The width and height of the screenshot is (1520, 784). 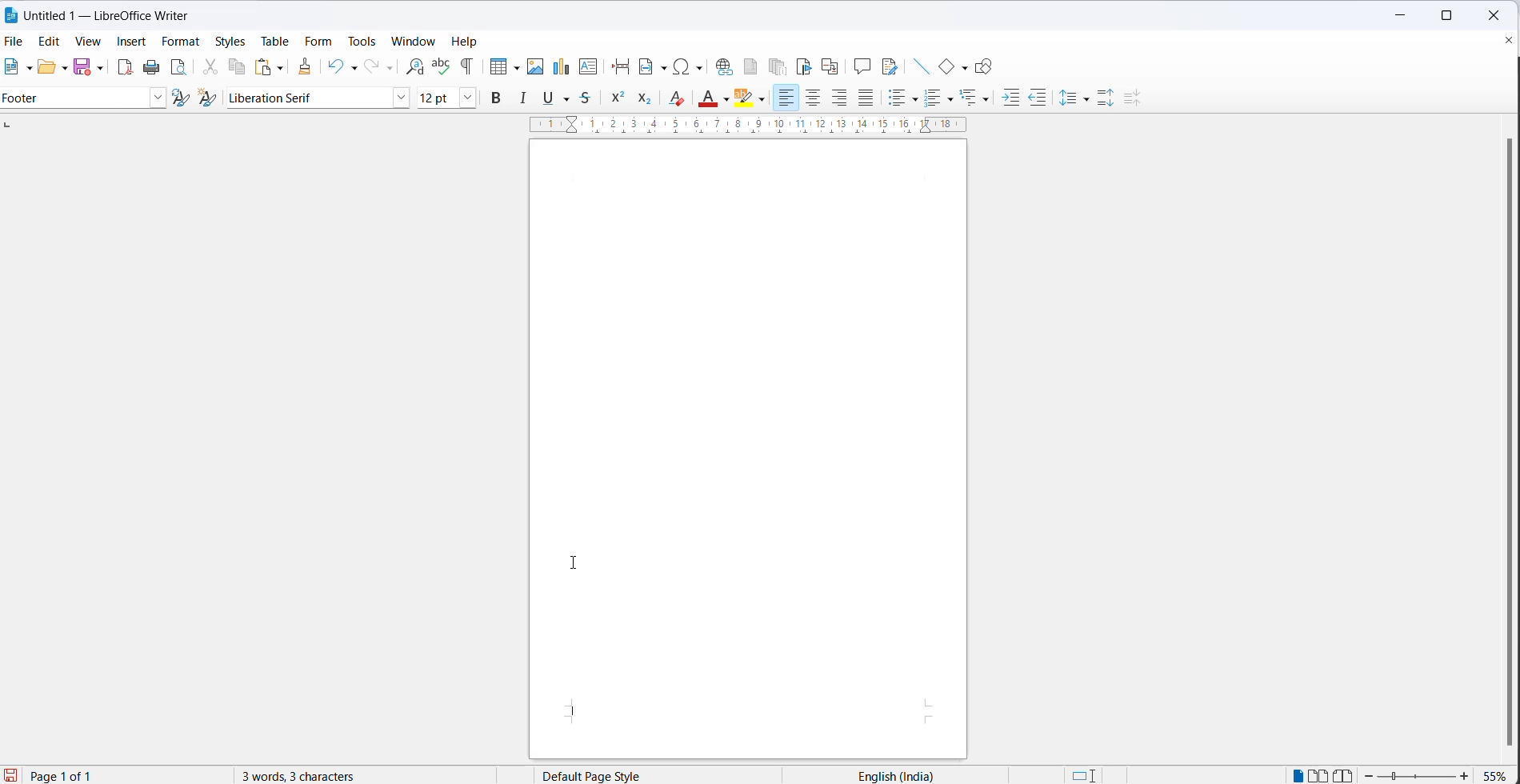 What do you see at coordinates (1346, 774) in the screenshot?
I see `book view` at bounding box center [1346, 774].